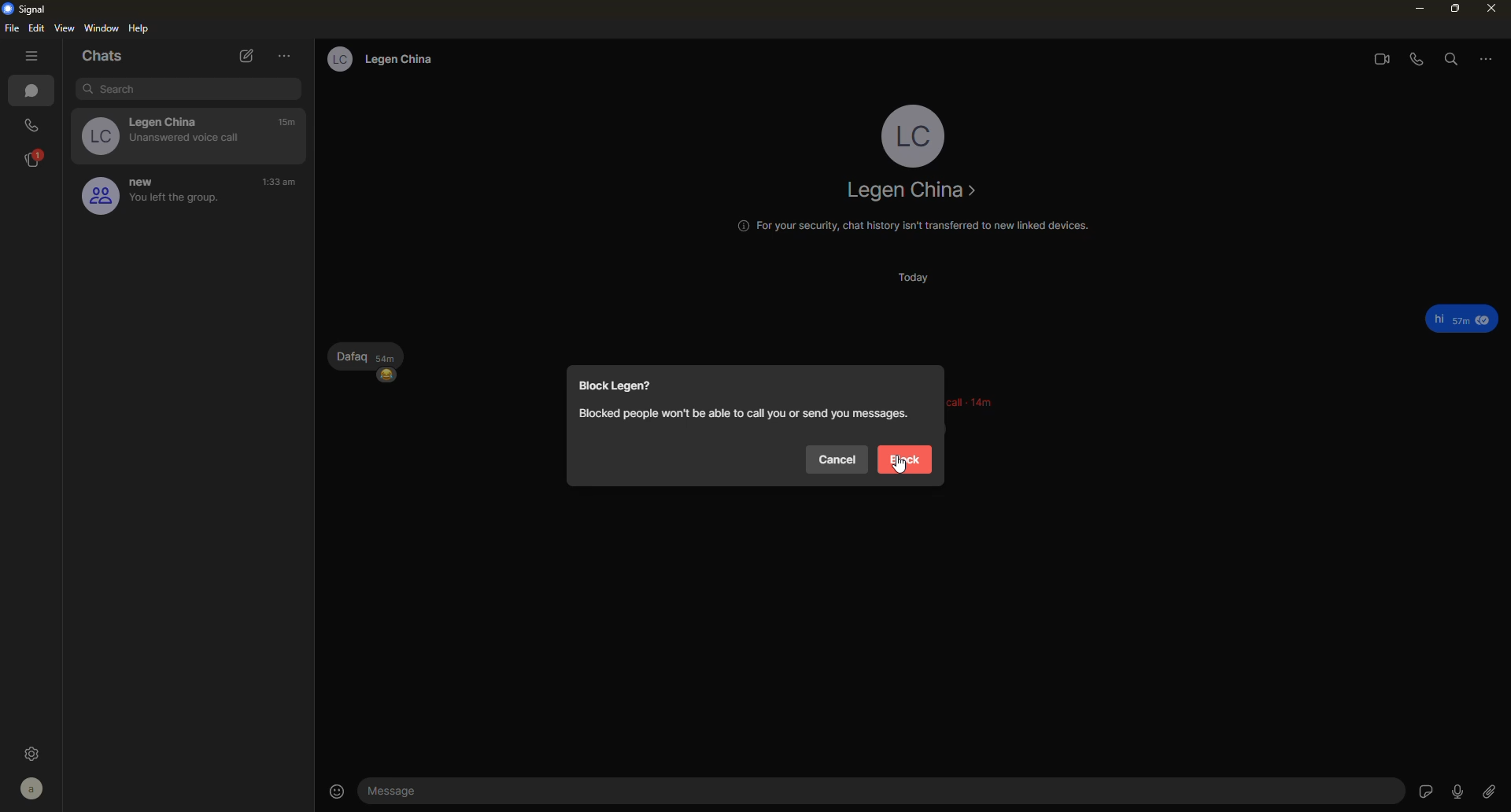  Describe the element at coordinates (1375, 58) in the screenshot. I see `video call` at that location.